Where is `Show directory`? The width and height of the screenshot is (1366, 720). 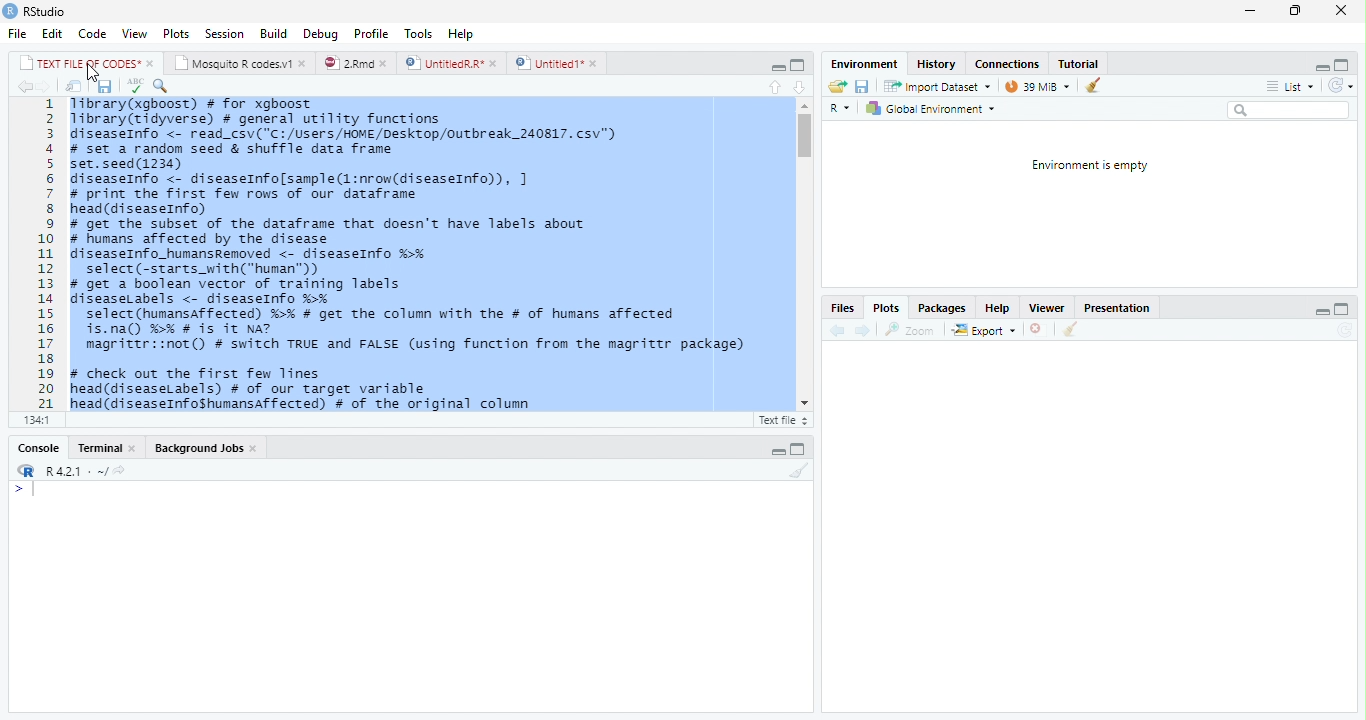
Show directory is located at coordinates (119, 469).